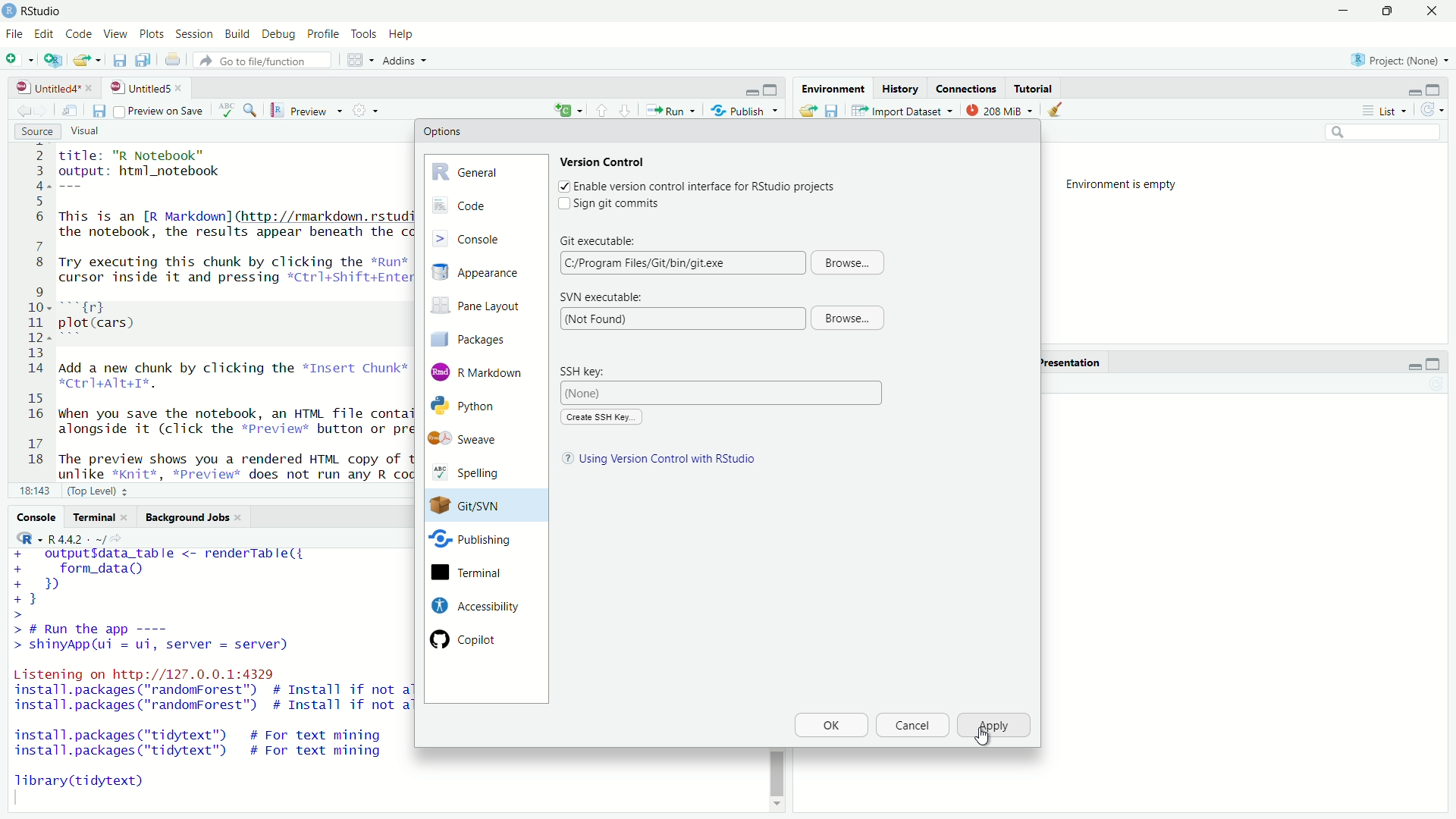 The image size is (1456, 819). Describe the element at coordinates (114, 35) in the screenshot. I see `View` at that location.